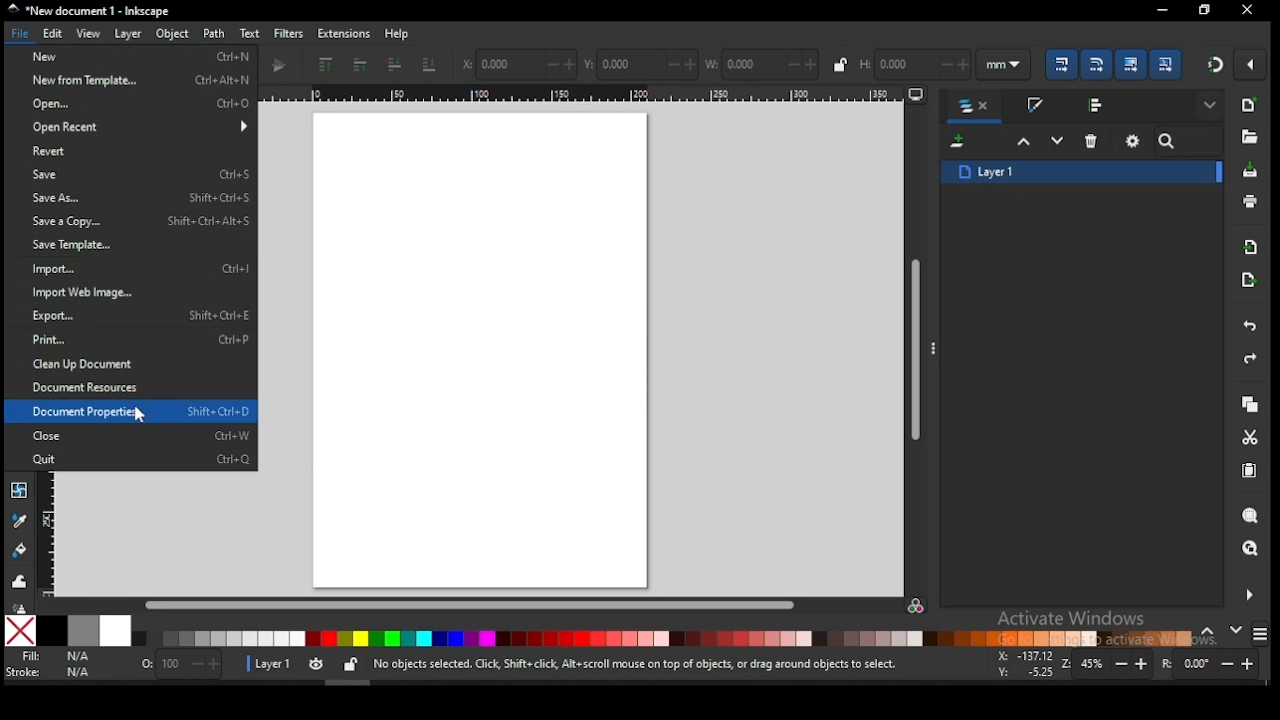 The width and height of the screenshot is (1280, 720). Describe the element at coordinates (763, 64) in the screenshot. I see `width of selection` at that location.